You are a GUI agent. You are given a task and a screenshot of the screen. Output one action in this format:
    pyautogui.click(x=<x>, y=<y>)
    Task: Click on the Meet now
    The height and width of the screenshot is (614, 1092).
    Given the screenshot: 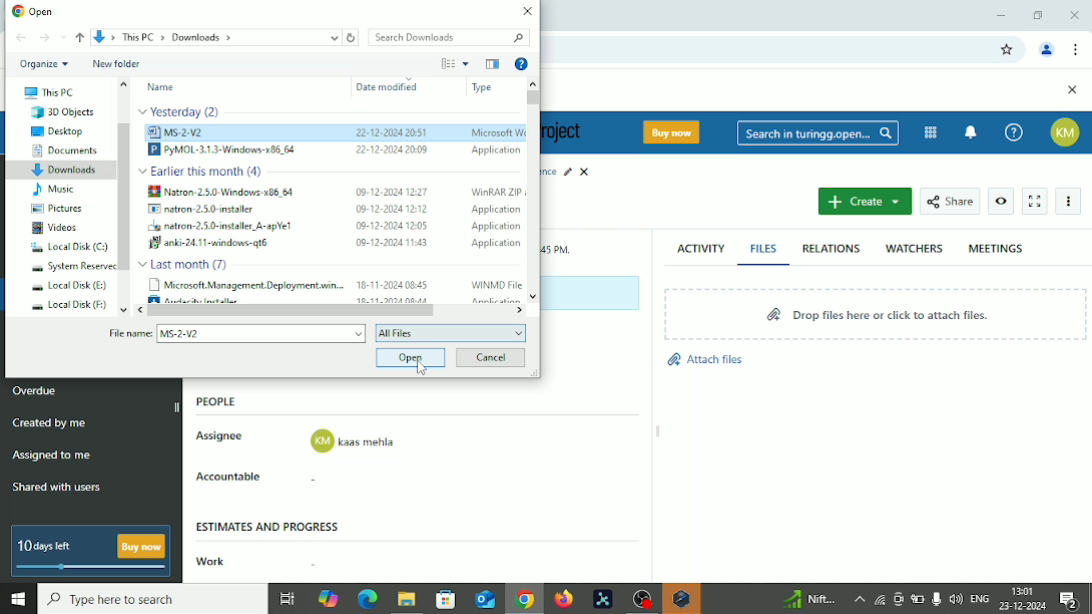 What is the action you would take?
    pyautogui.click(x=898, y=599)
    